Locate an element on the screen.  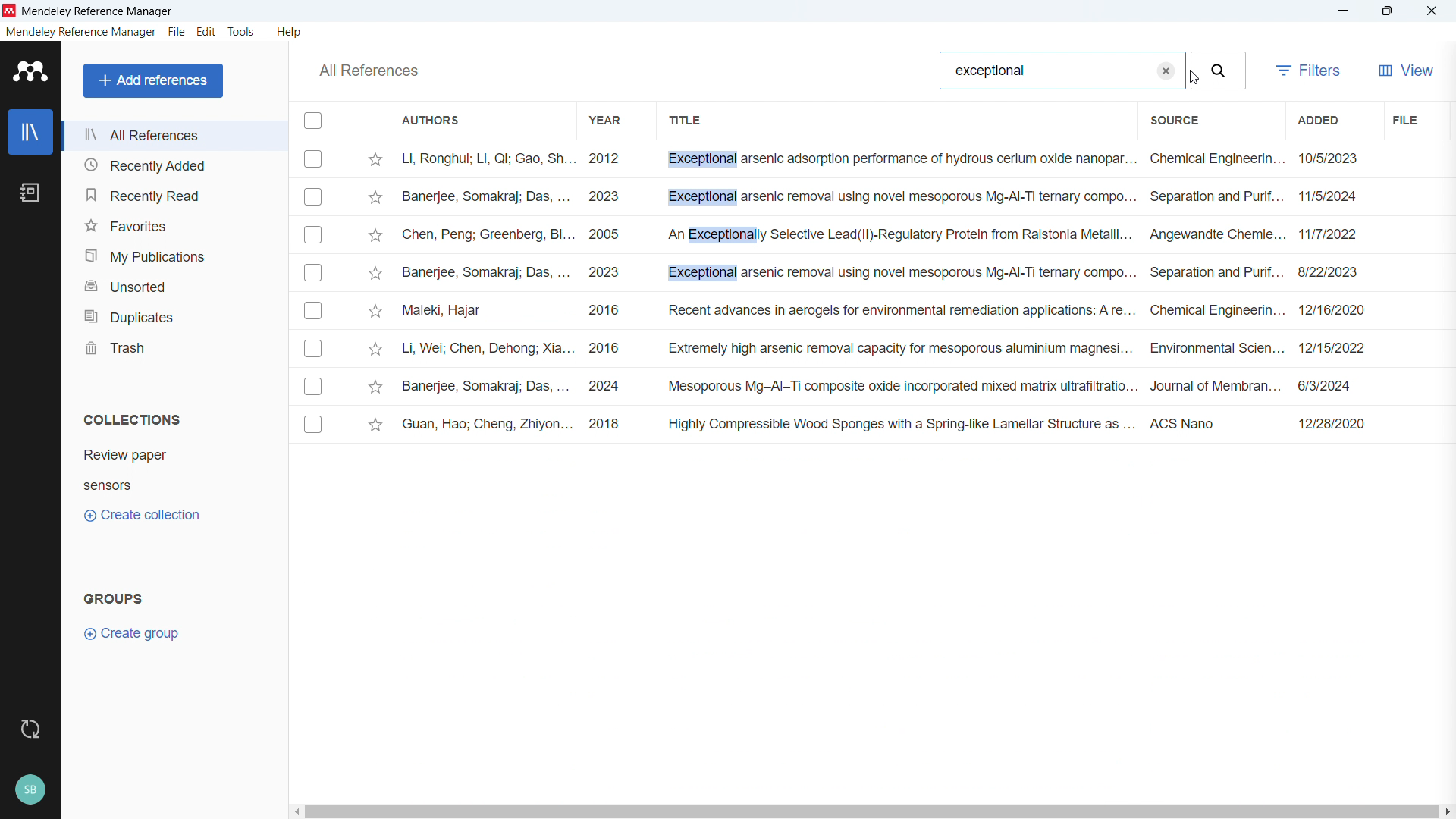
Authors of individual entries  is located at coordinates (488, 293).